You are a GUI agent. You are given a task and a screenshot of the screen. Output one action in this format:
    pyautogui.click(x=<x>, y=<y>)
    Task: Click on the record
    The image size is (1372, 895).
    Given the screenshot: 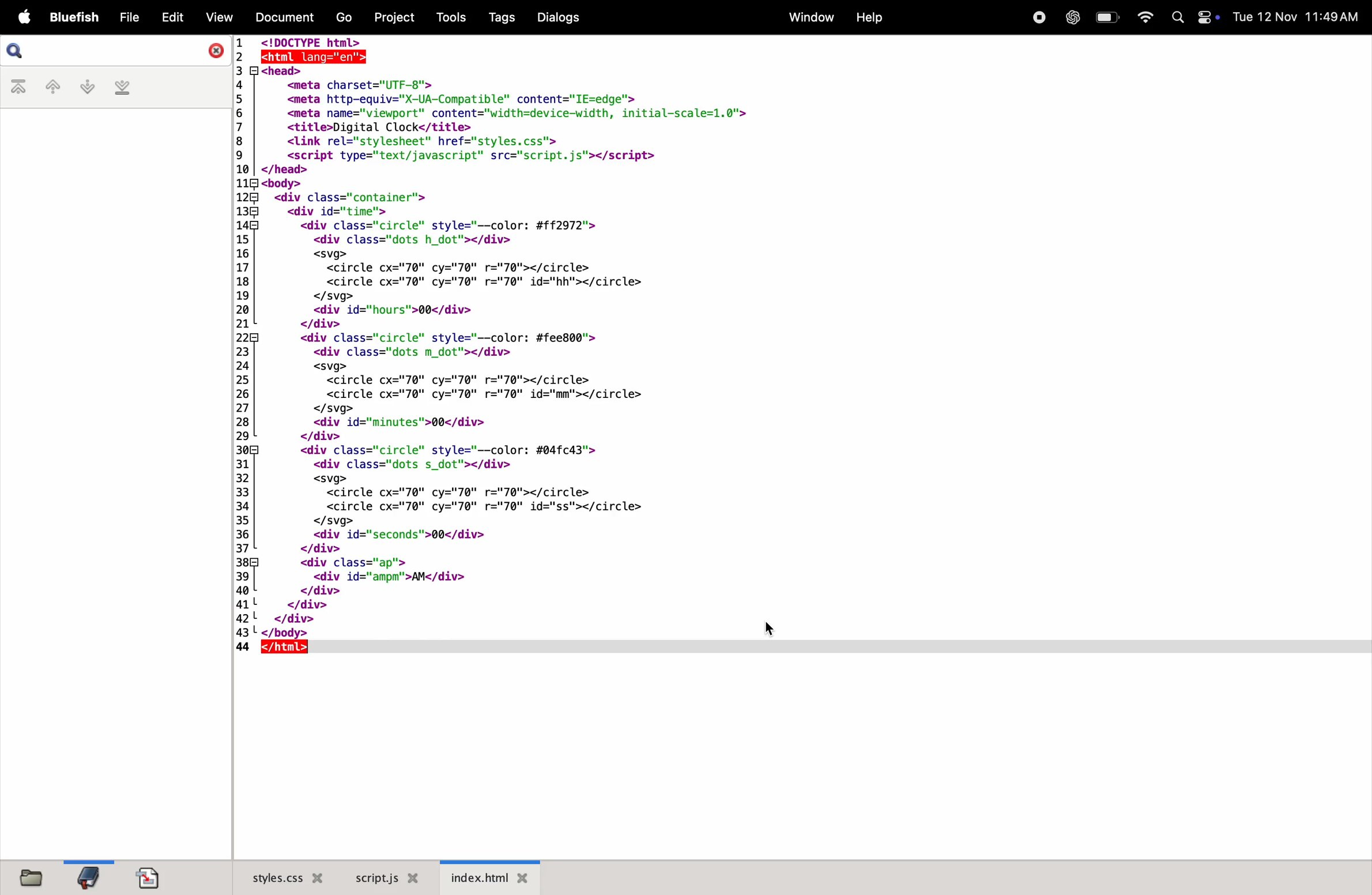 What is the action you would take?
    pyautogui.click(x=1035, y=17)
    